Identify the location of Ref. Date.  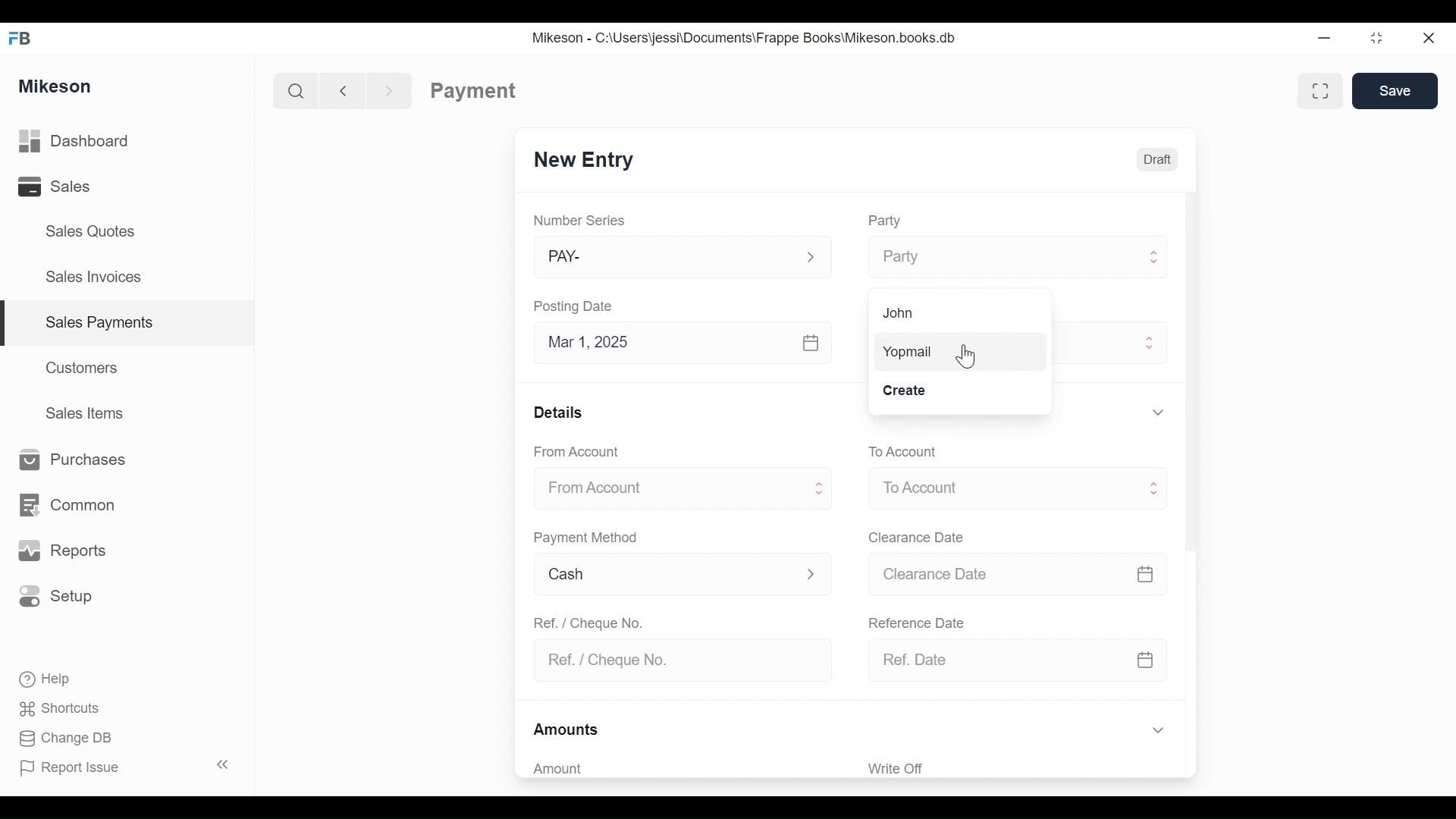
(1018, 657).